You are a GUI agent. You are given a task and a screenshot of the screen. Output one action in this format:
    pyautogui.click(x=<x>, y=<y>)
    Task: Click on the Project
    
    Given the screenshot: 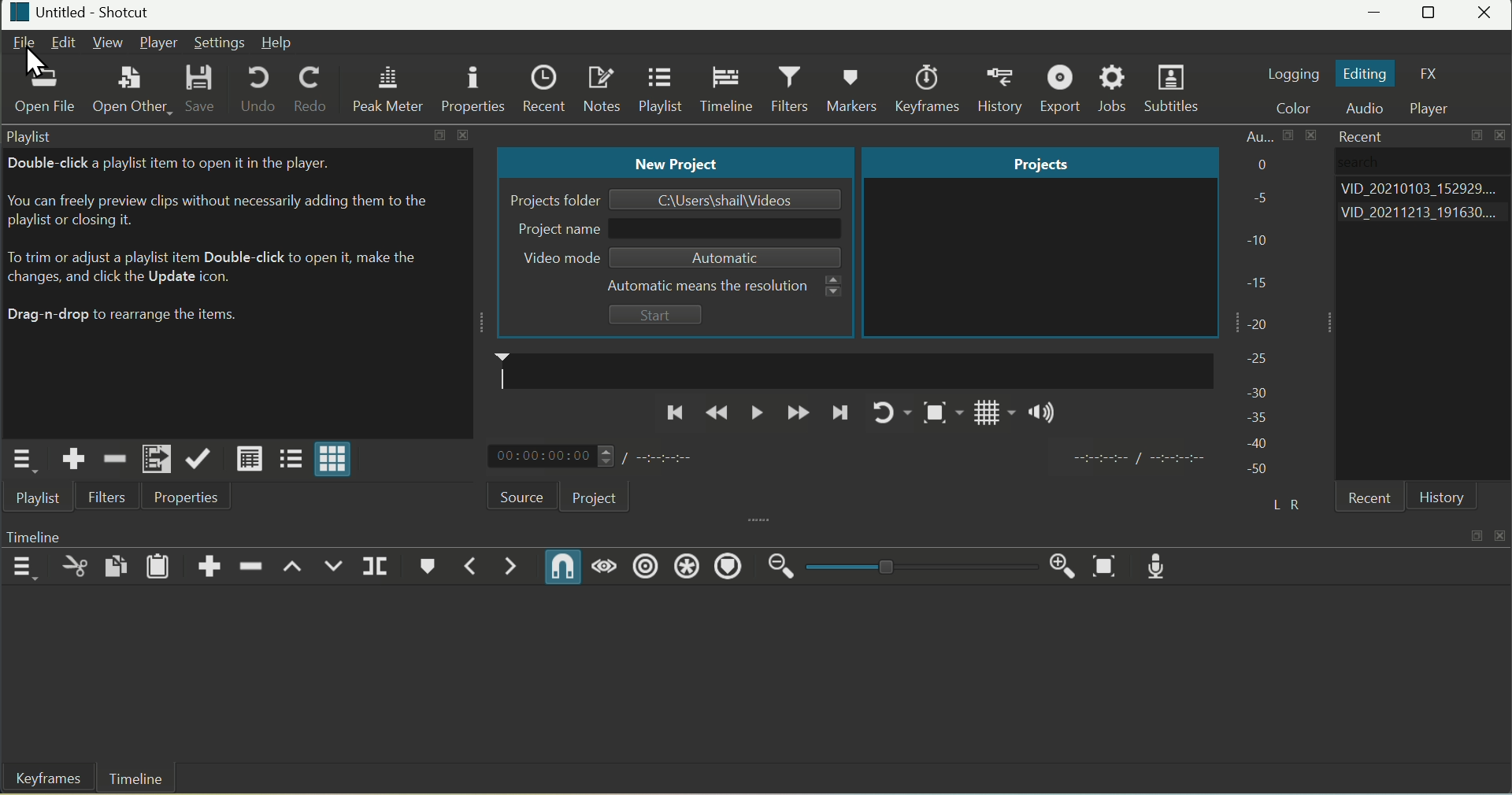 What is the action you would take?
    pyautogui.click(x=594, y=497)
    